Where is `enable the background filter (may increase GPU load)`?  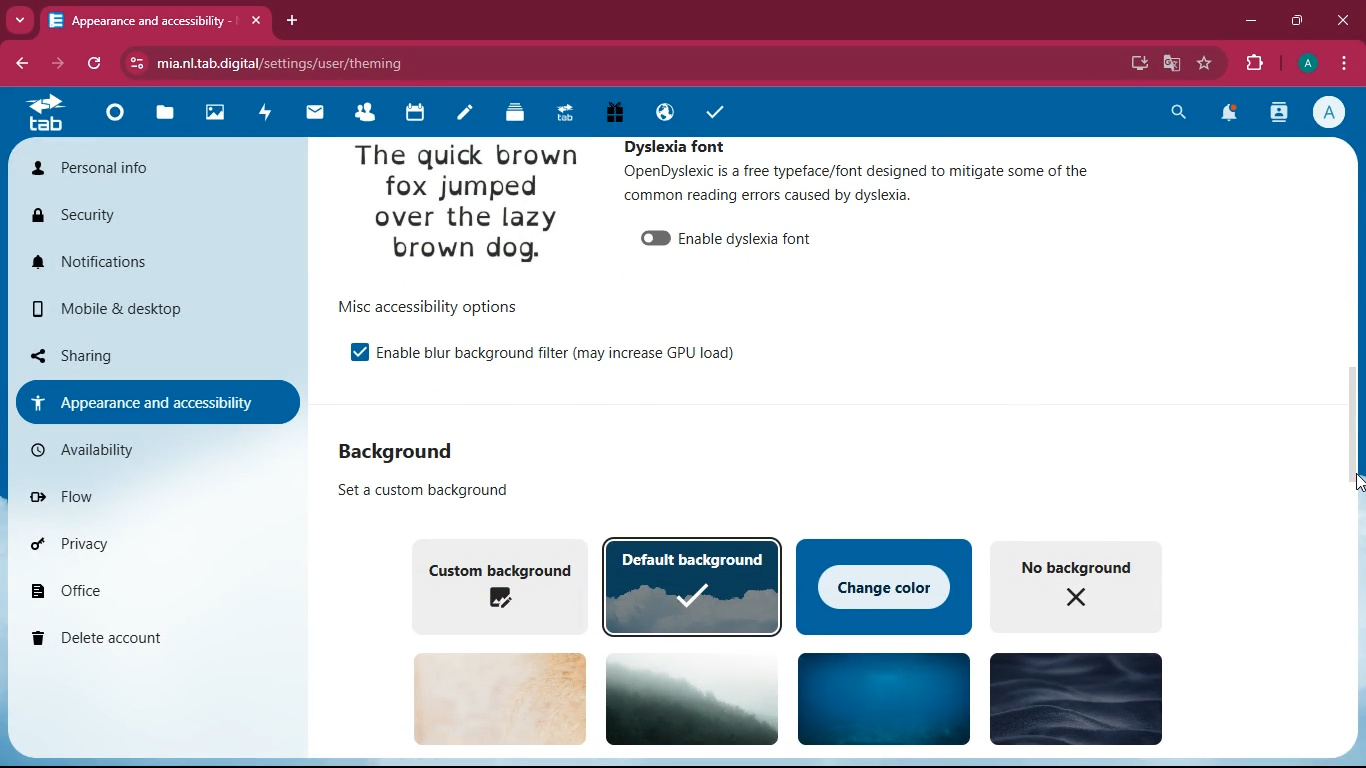 enable the background filter (may increase GPU load) is located at coordinates (565, 352).